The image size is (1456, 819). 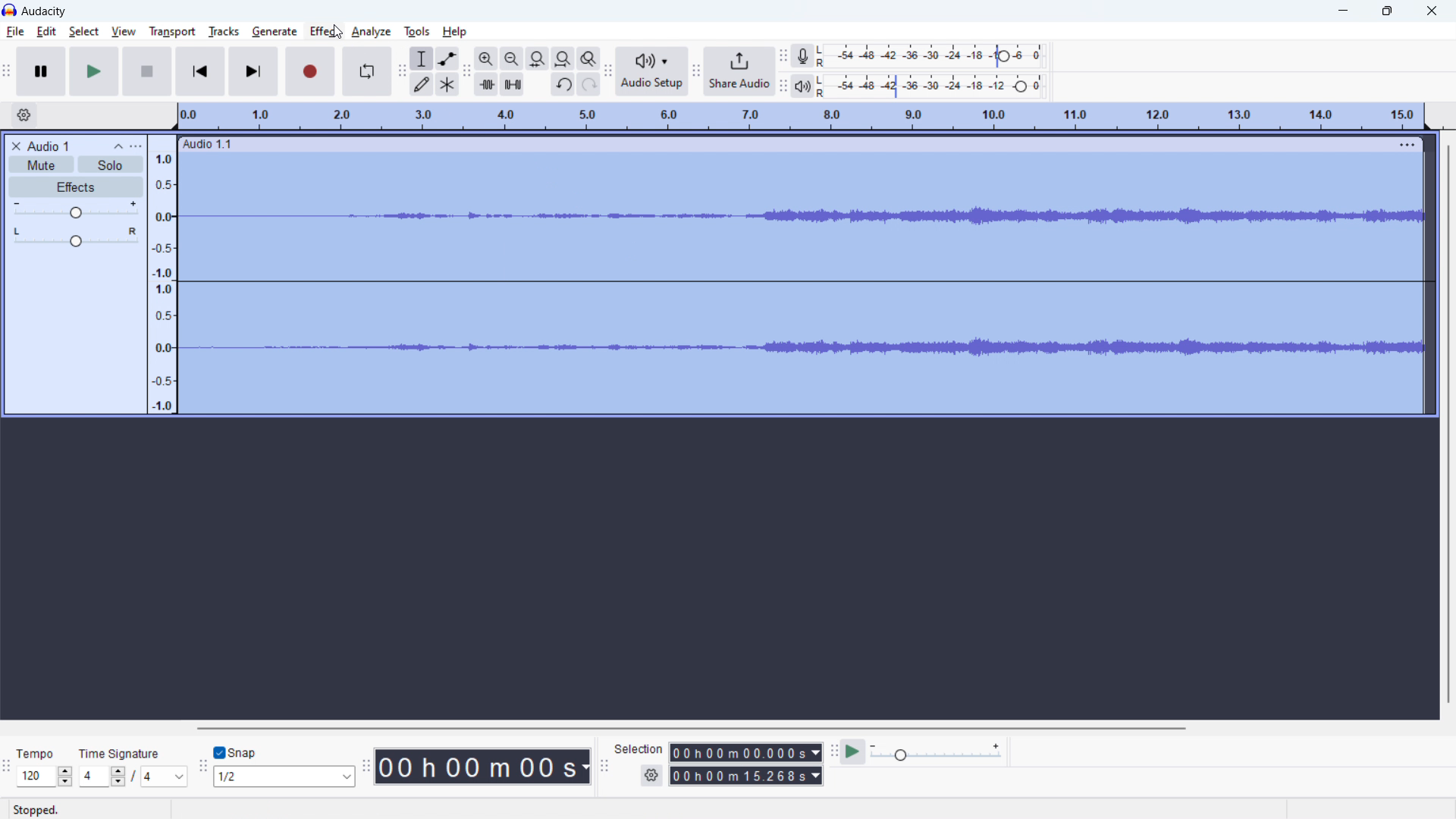 What do you see at coordinates (1387, 11) in the screenshot?
I see `maximize` at bounding box center [1387, 11].